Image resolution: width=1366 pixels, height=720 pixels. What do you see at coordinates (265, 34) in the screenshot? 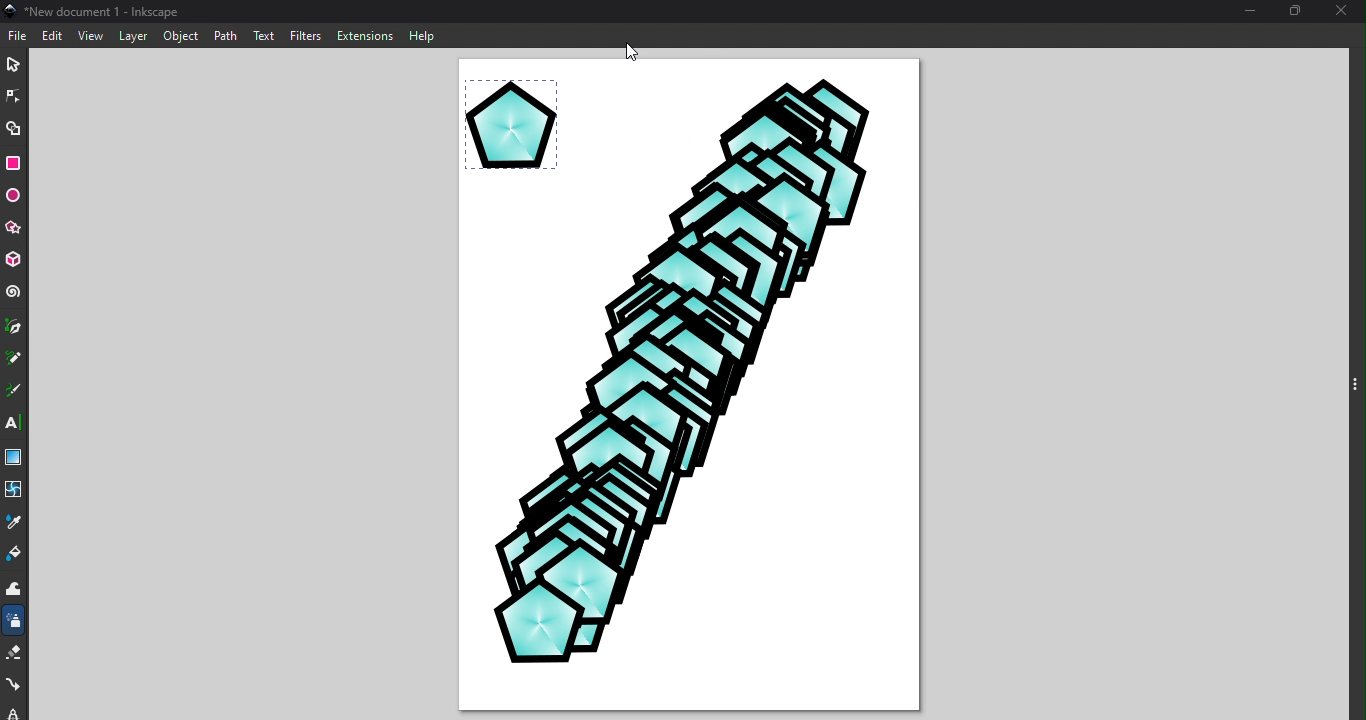
I see `Text` at bounding box center [265, 34].